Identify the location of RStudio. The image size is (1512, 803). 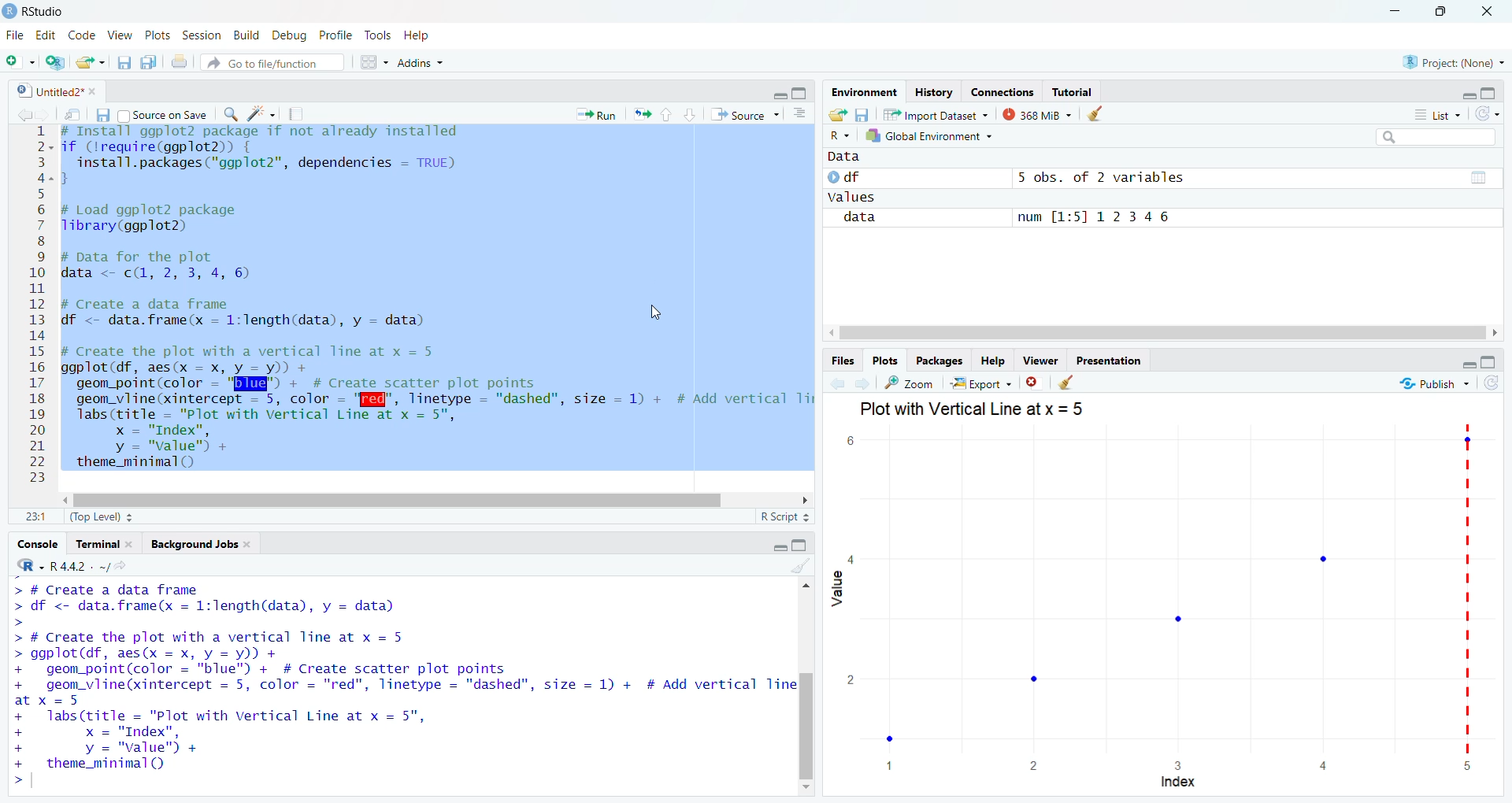
(38, 12).